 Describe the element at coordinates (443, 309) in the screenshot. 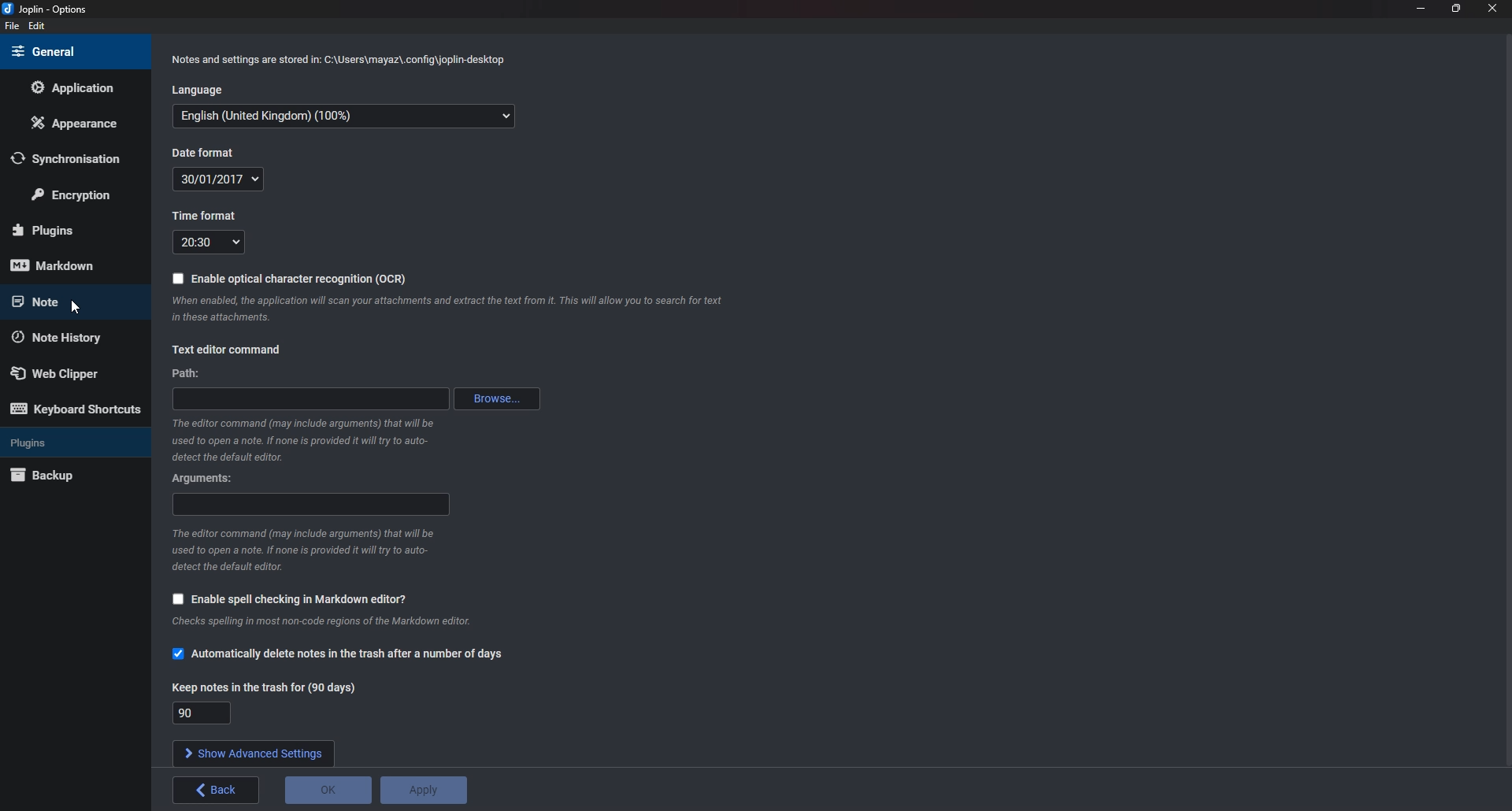

I see `Info` at that location.